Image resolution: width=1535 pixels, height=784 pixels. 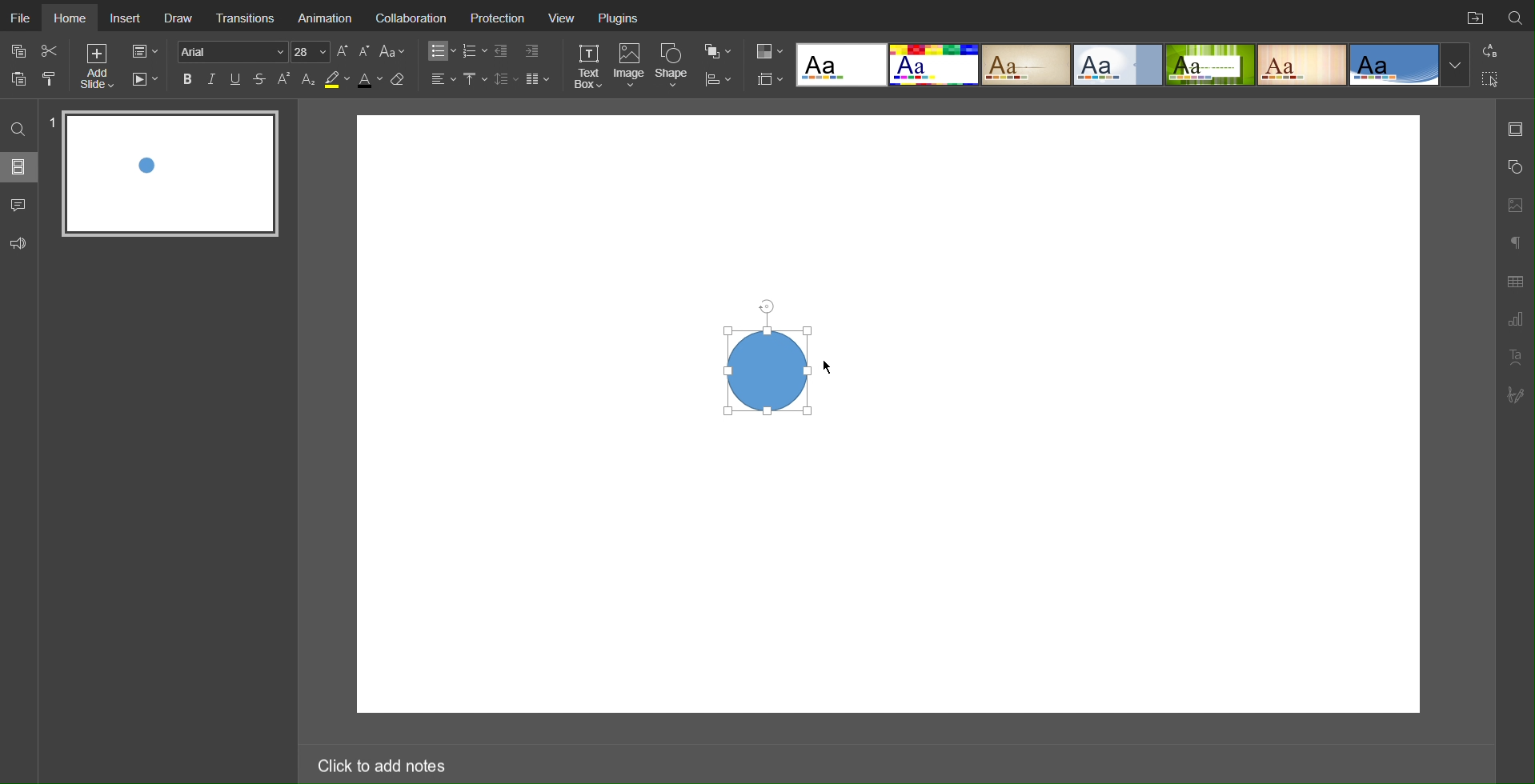 I want to click on Open File Location, so click(x=1472, y=16).